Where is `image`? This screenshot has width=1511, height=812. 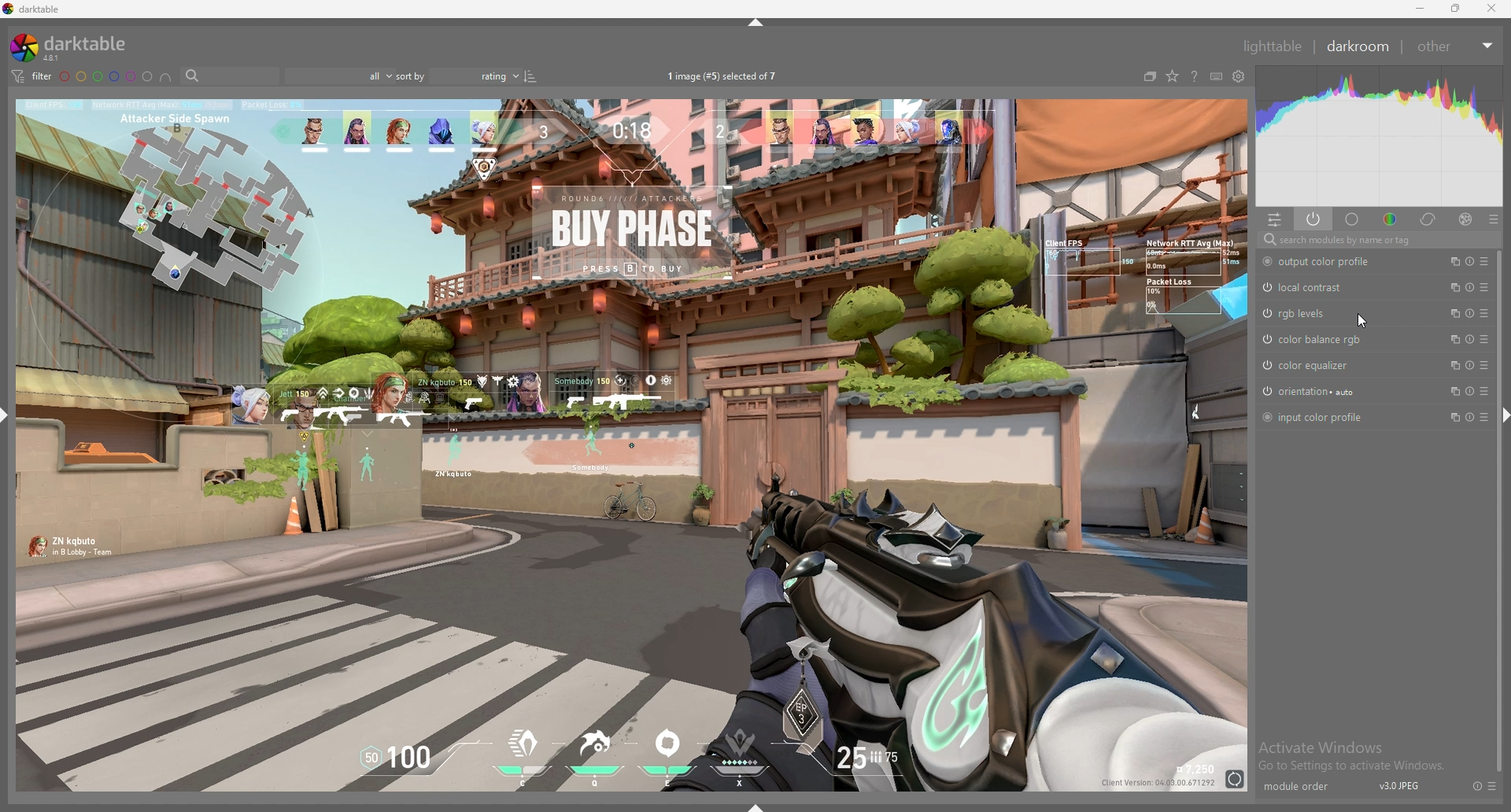 image is located at coordinates (633, 446).